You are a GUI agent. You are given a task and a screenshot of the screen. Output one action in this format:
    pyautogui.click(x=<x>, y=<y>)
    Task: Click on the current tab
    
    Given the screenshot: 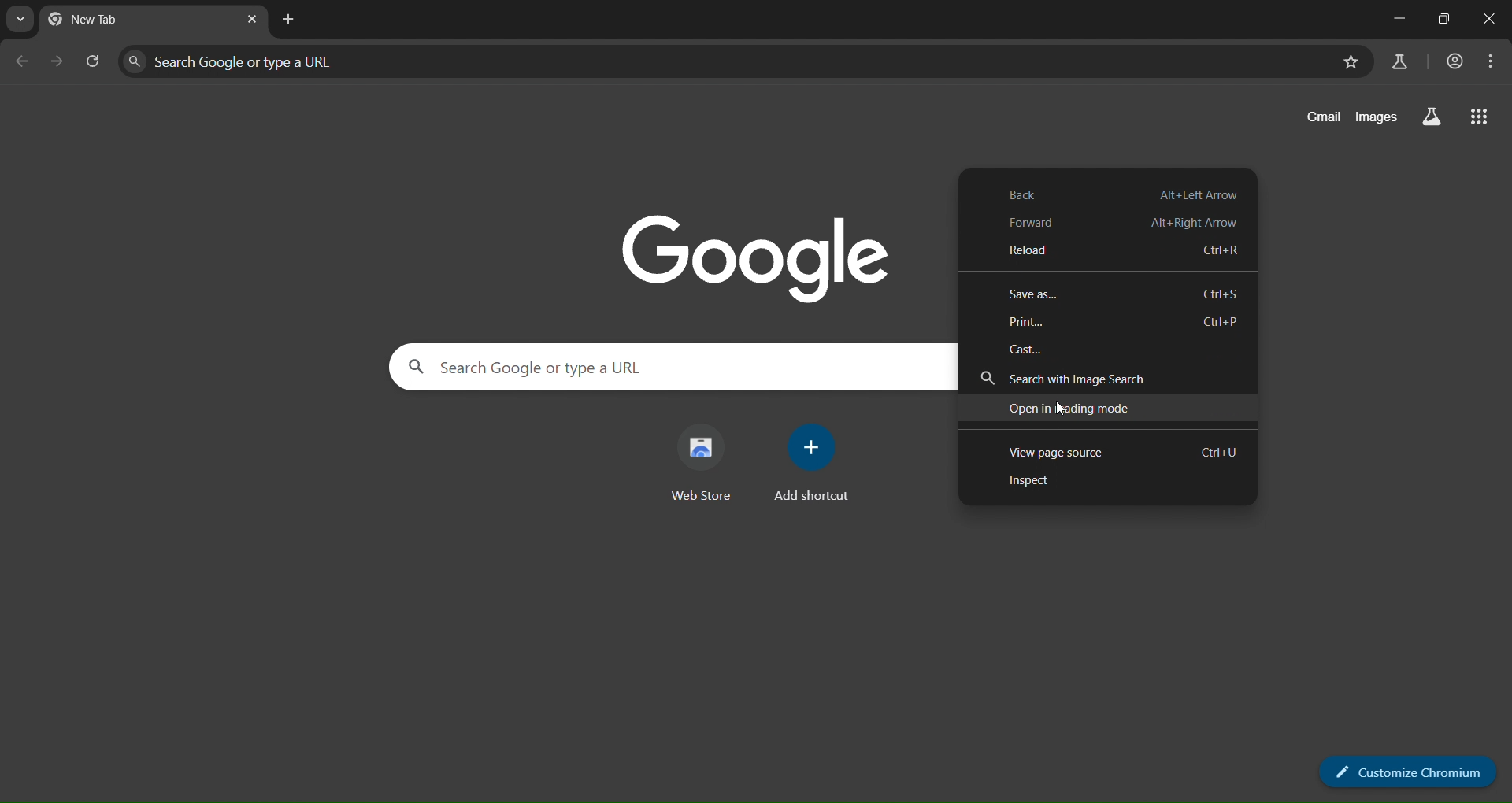 What is the action you would take?
    pyautogui.click(x=124, y=22)
    